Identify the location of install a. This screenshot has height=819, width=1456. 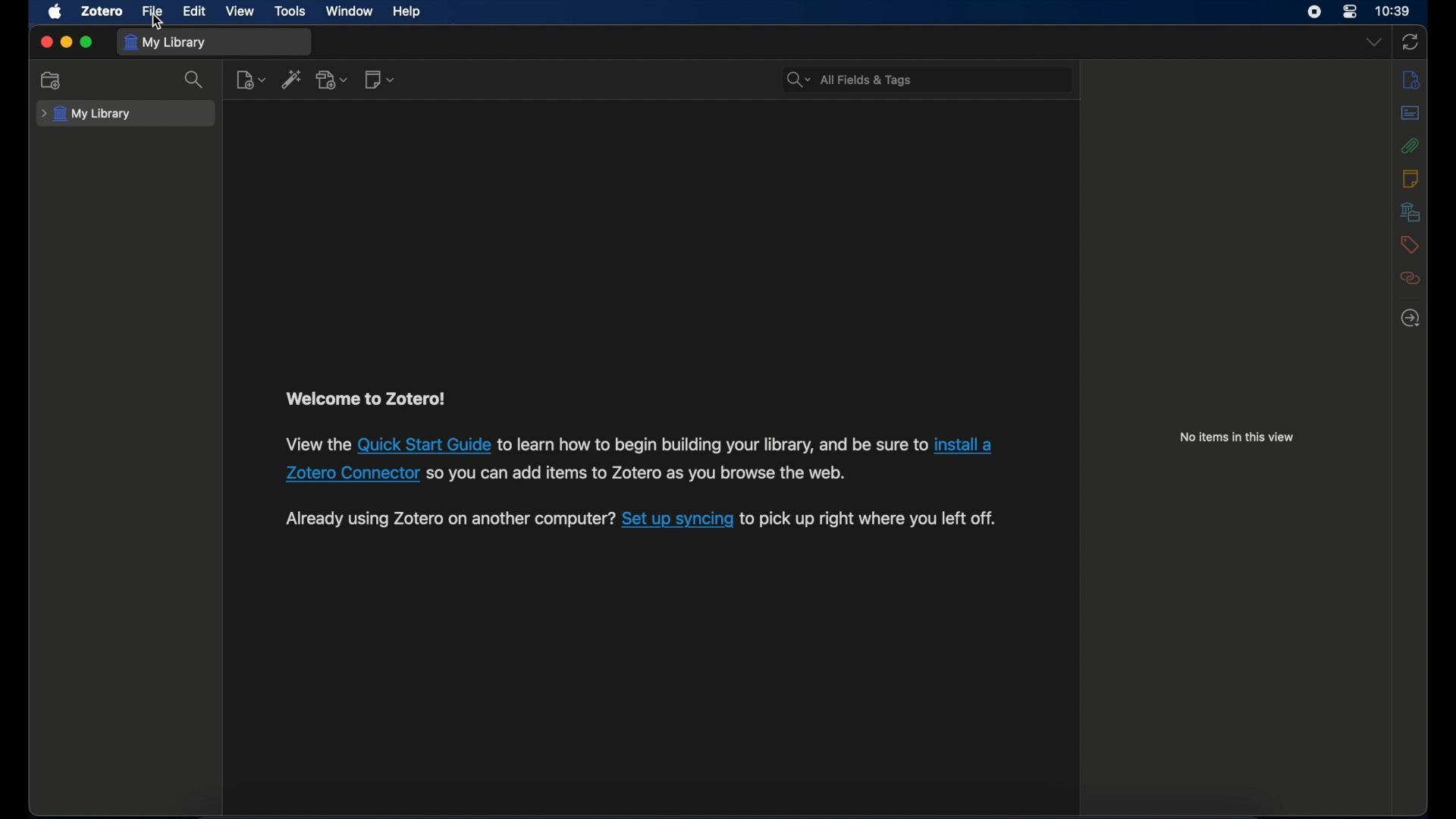
(966, 444).